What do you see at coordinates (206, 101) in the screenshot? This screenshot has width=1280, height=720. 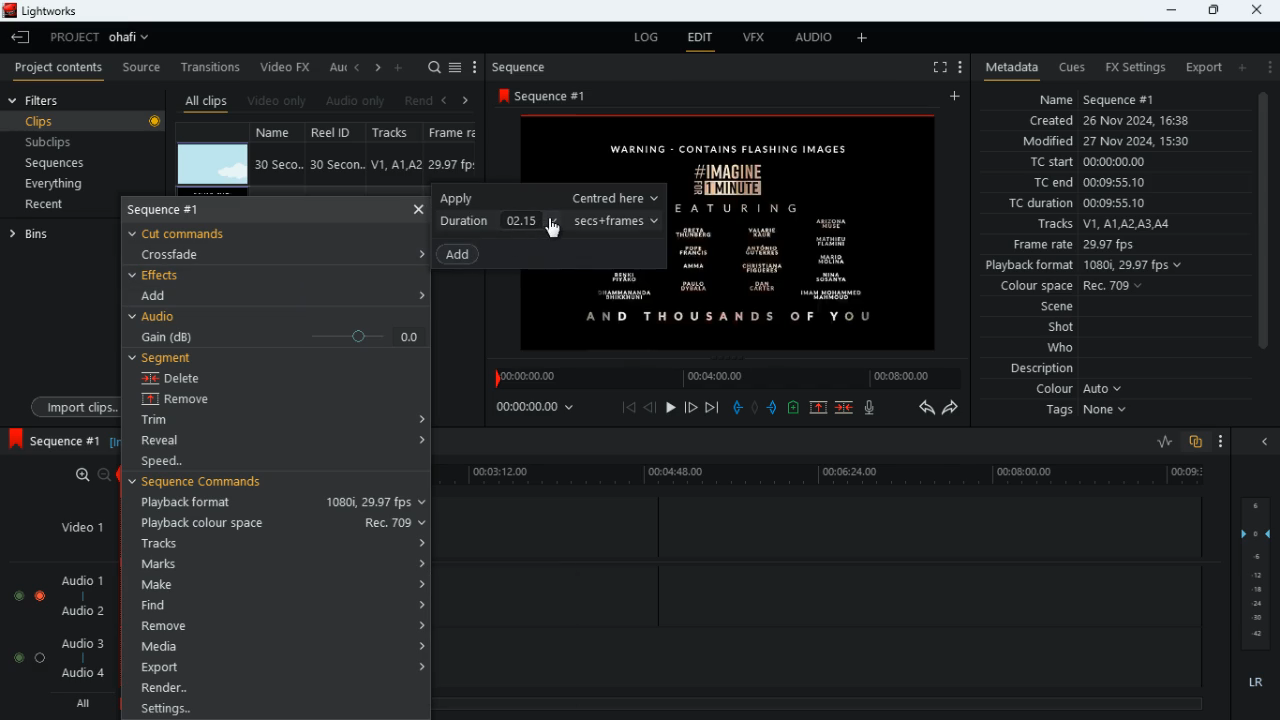 I see `all clips` at bounding box center [206, 101].